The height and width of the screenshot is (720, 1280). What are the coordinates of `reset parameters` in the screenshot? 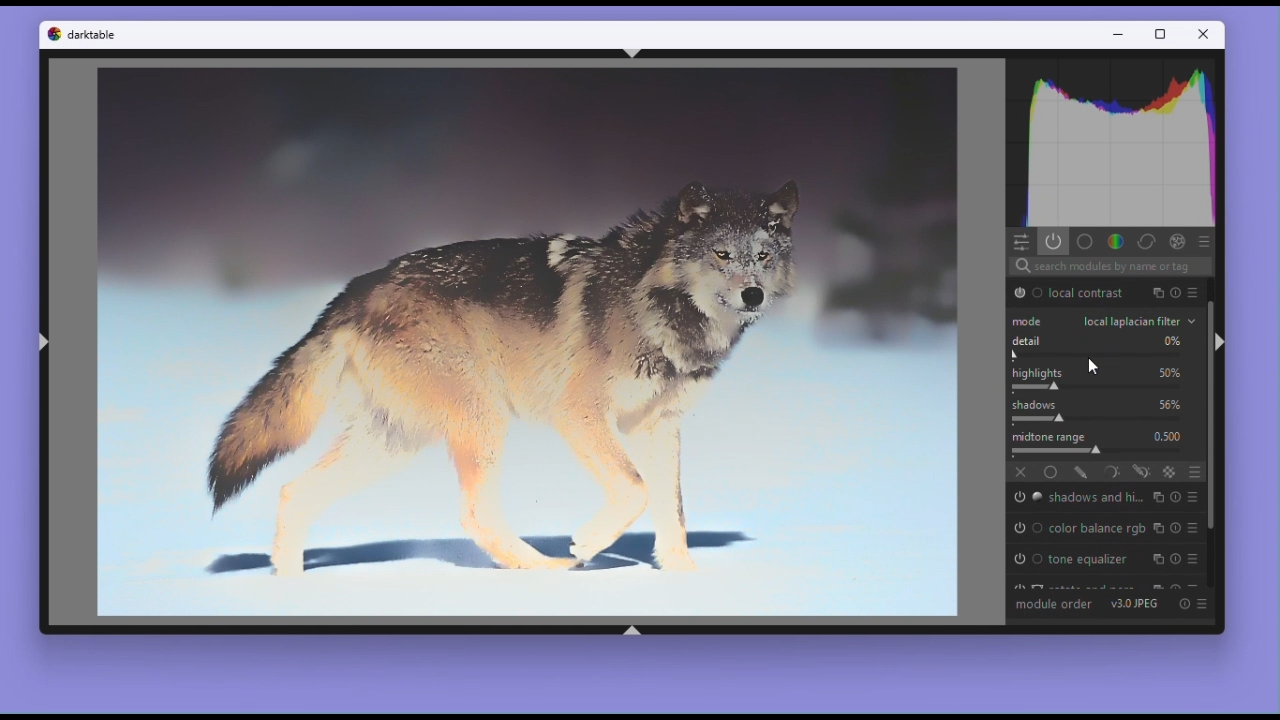 It's located at (1174, 561).